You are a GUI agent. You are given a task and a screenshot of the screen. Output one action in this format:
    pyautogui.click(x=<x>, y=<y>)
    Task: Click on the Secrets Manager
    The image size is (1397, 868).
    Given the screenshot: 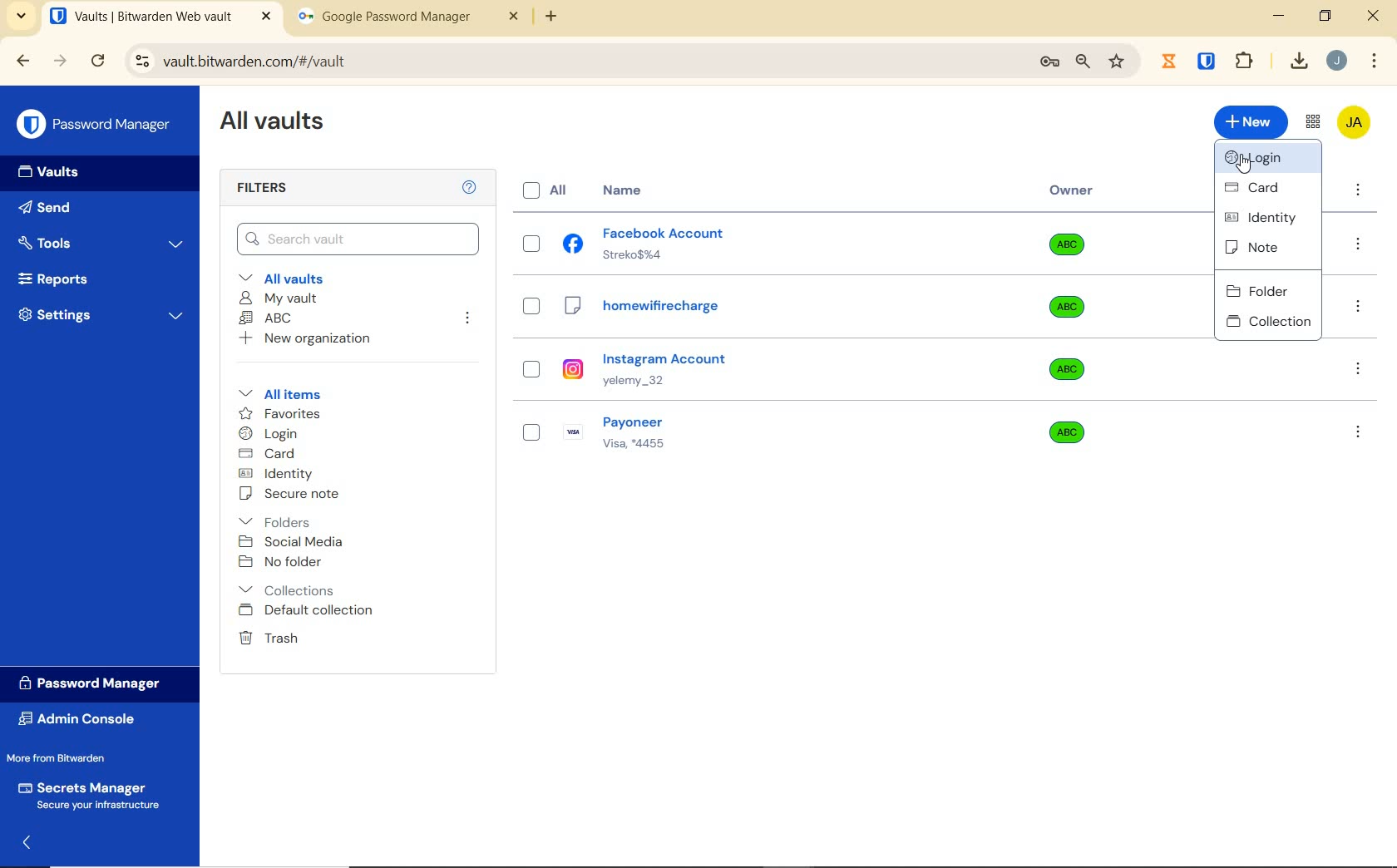 What is the action you would take?
    pyautogui.click(x=86, y=796)
    